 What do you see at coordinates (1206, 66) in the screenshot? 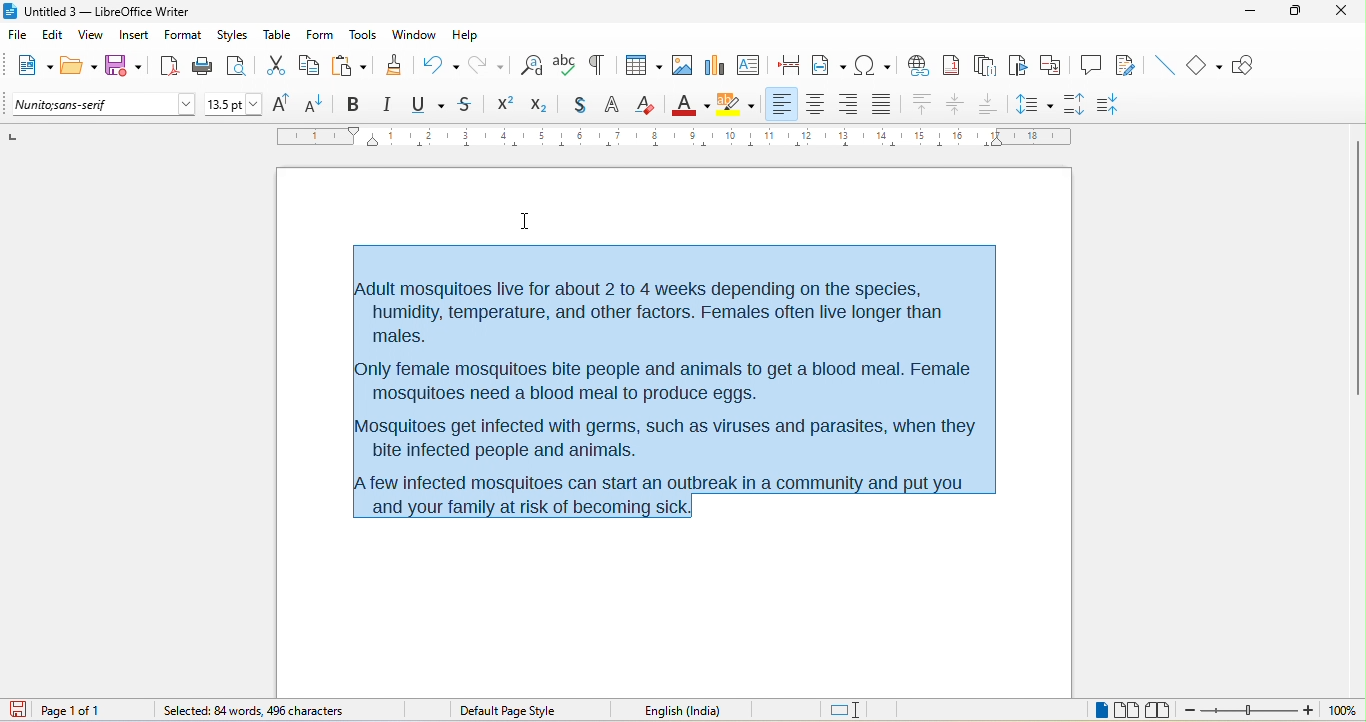
I see `basic shapes` at bounding box center [1206, 66].